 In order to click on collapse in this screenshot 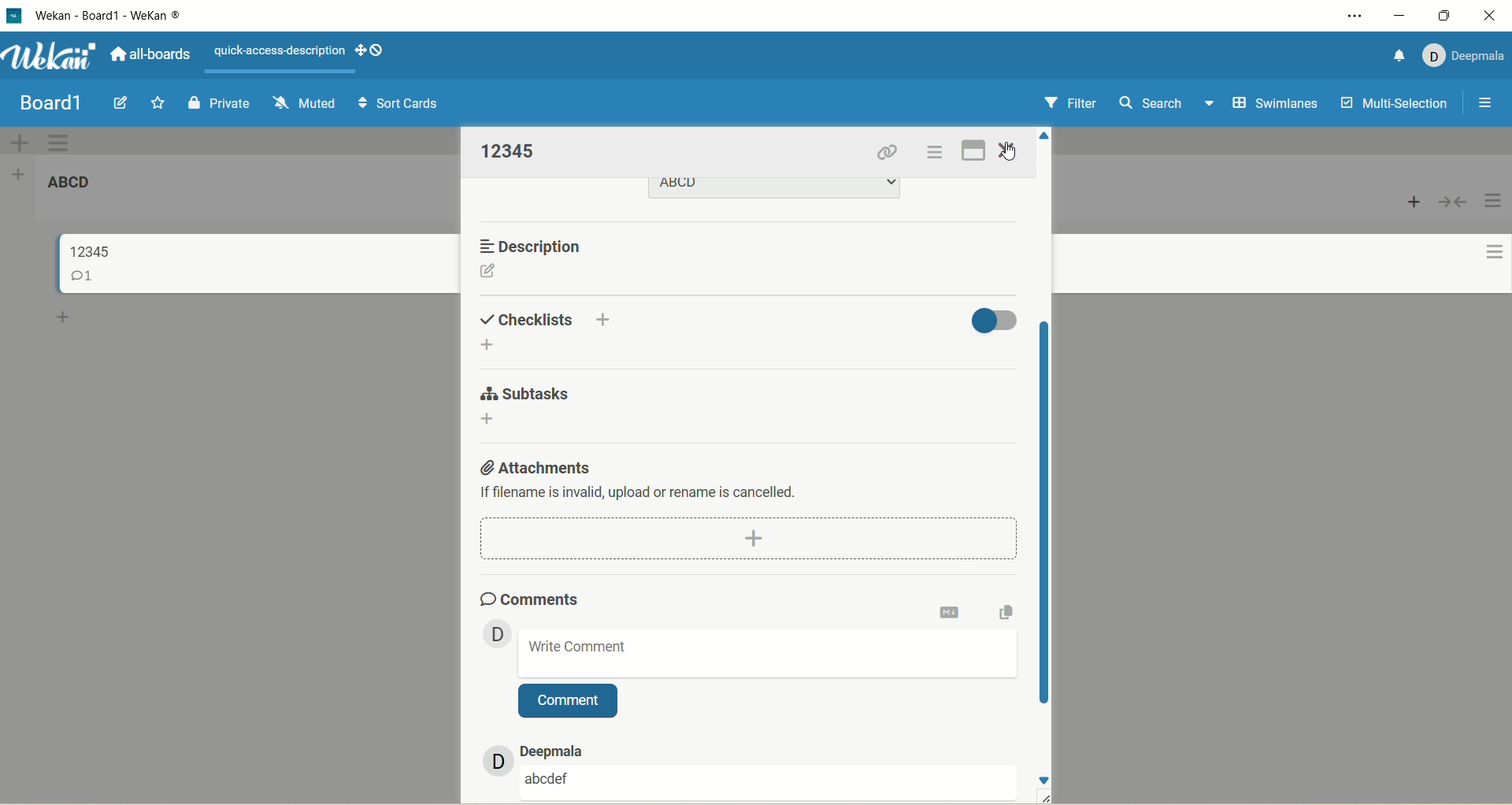, I will do `click(1451, 202)`.